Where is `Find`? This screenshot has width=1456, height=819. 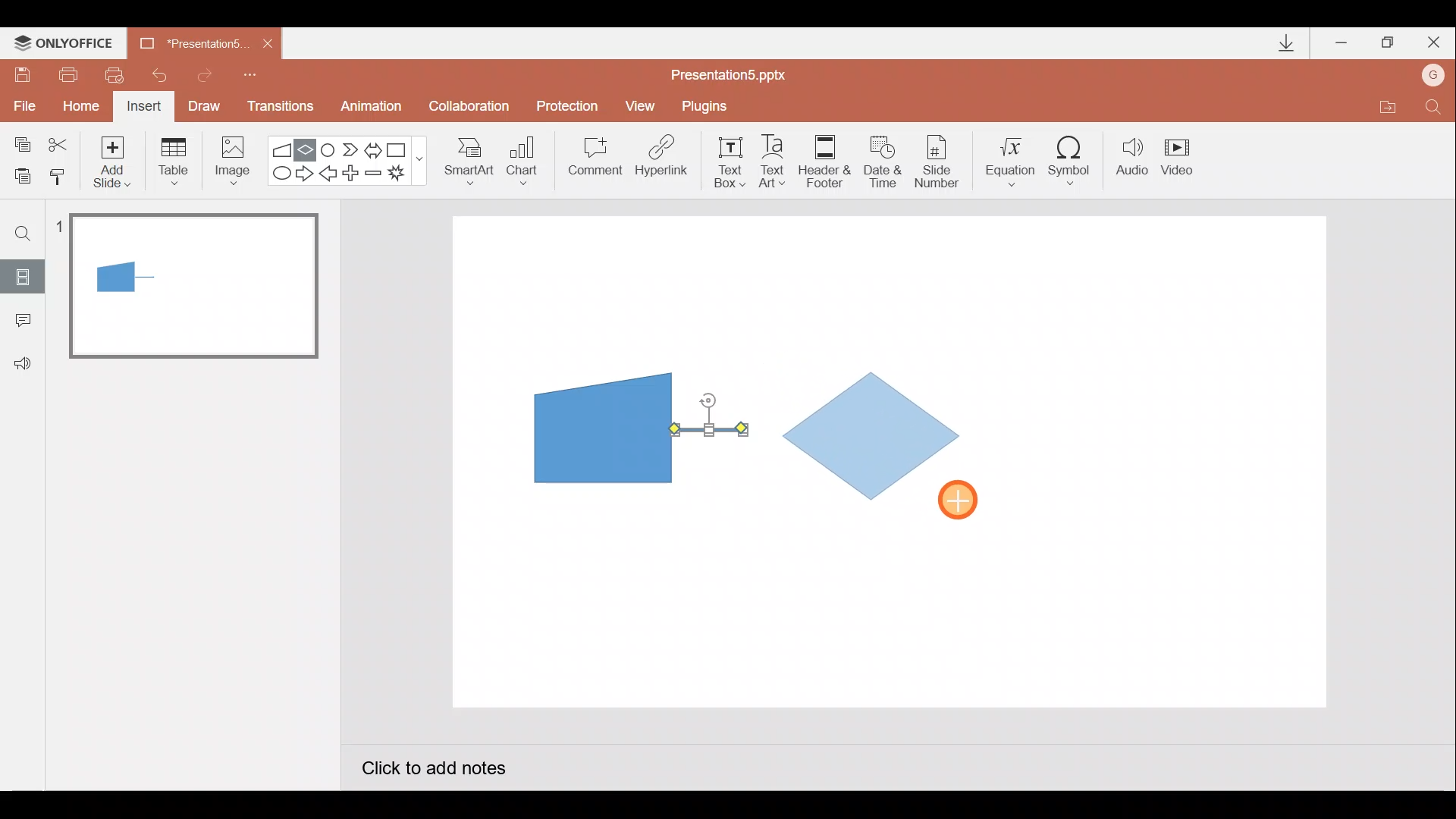
Find is located at coordinates (24, 233).